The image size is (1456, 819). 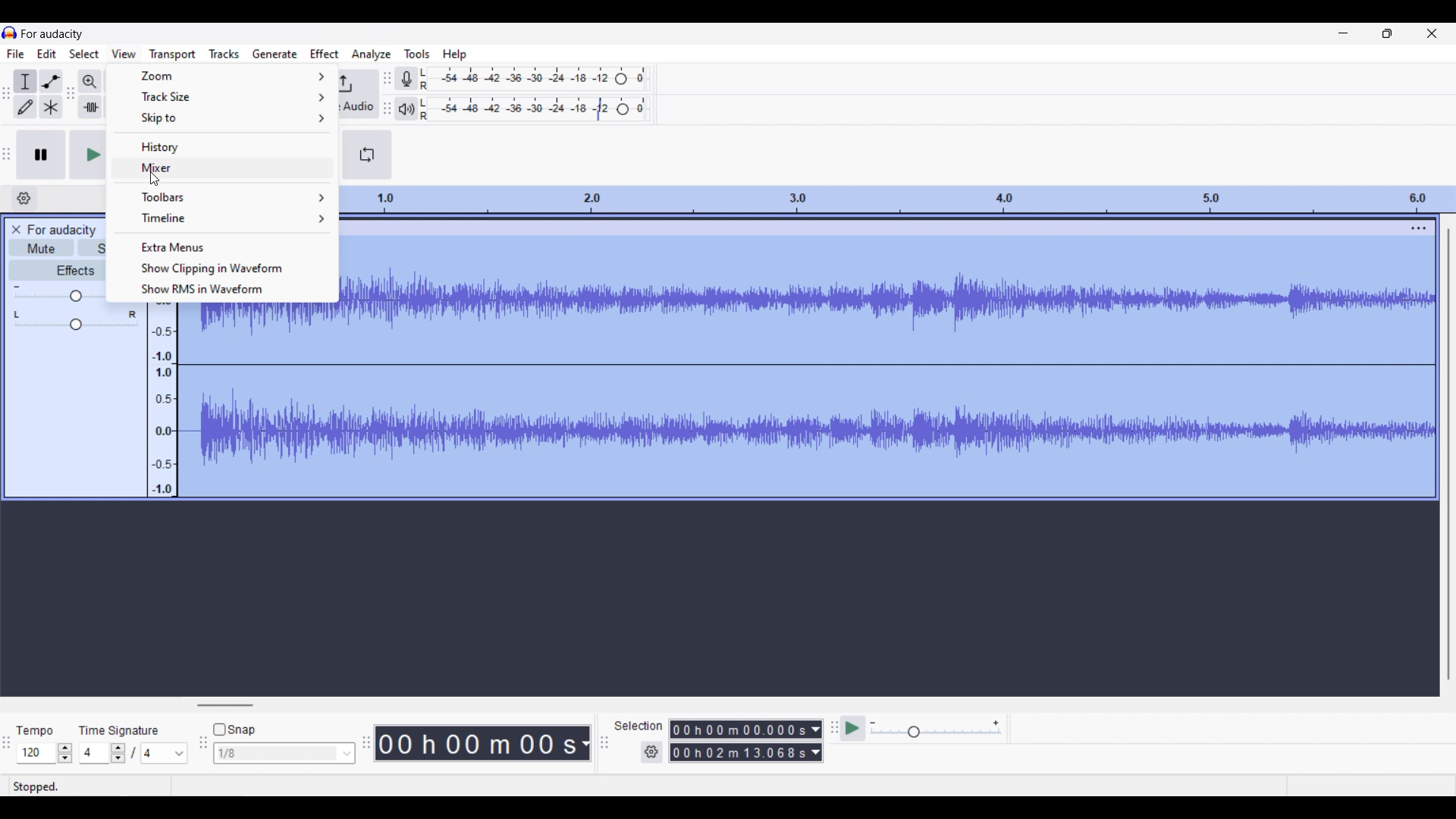 What do you see at coordinates (222, 96) in the screenshot?
I see `Track size options ` at bounding box center [222, 96].